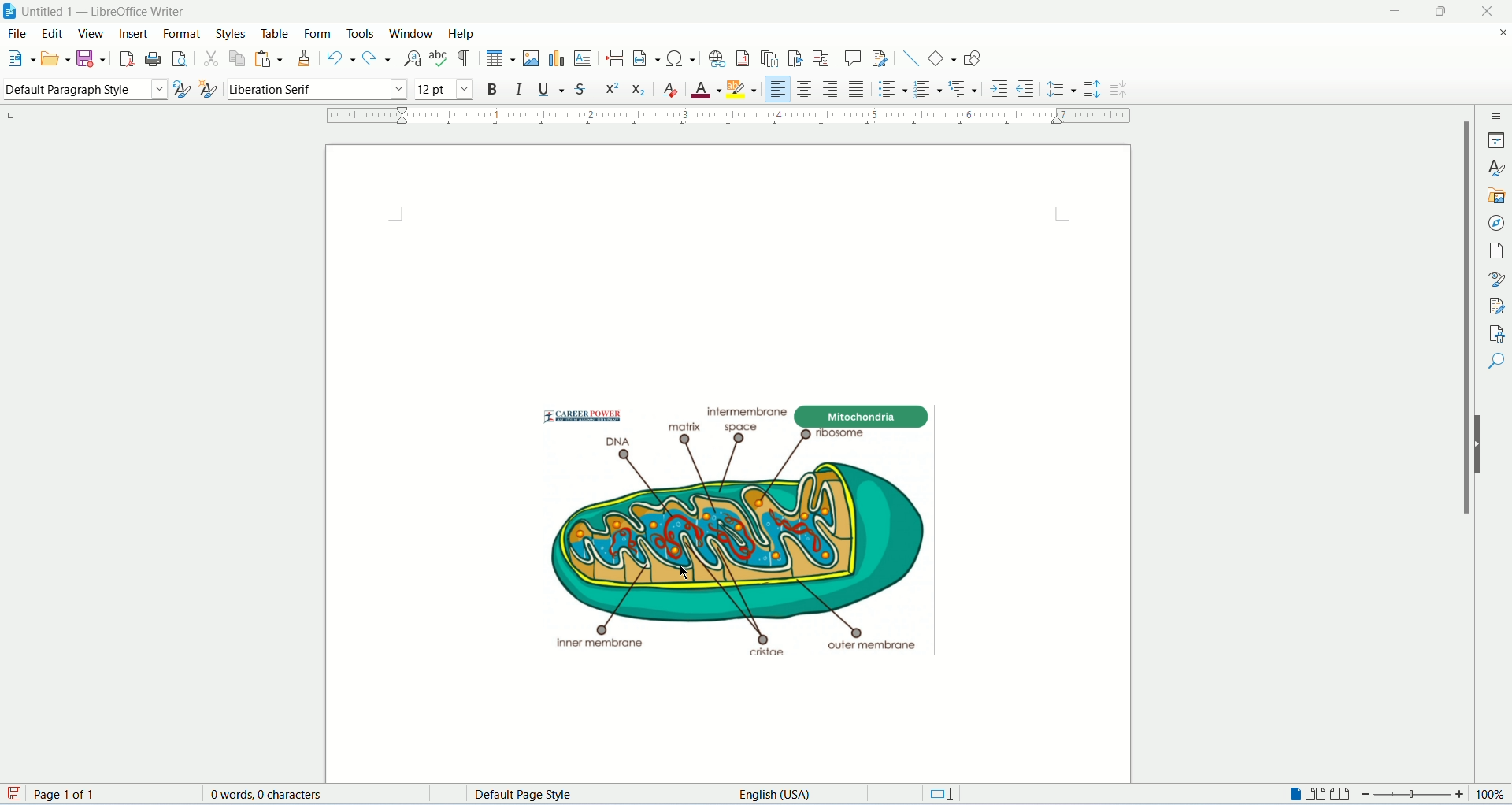 This screenshot has width=1512, height=805. What do you see at coordinates (943, 796) in the screenshot?
I see `standard selection` at bounding box center [943, 796].